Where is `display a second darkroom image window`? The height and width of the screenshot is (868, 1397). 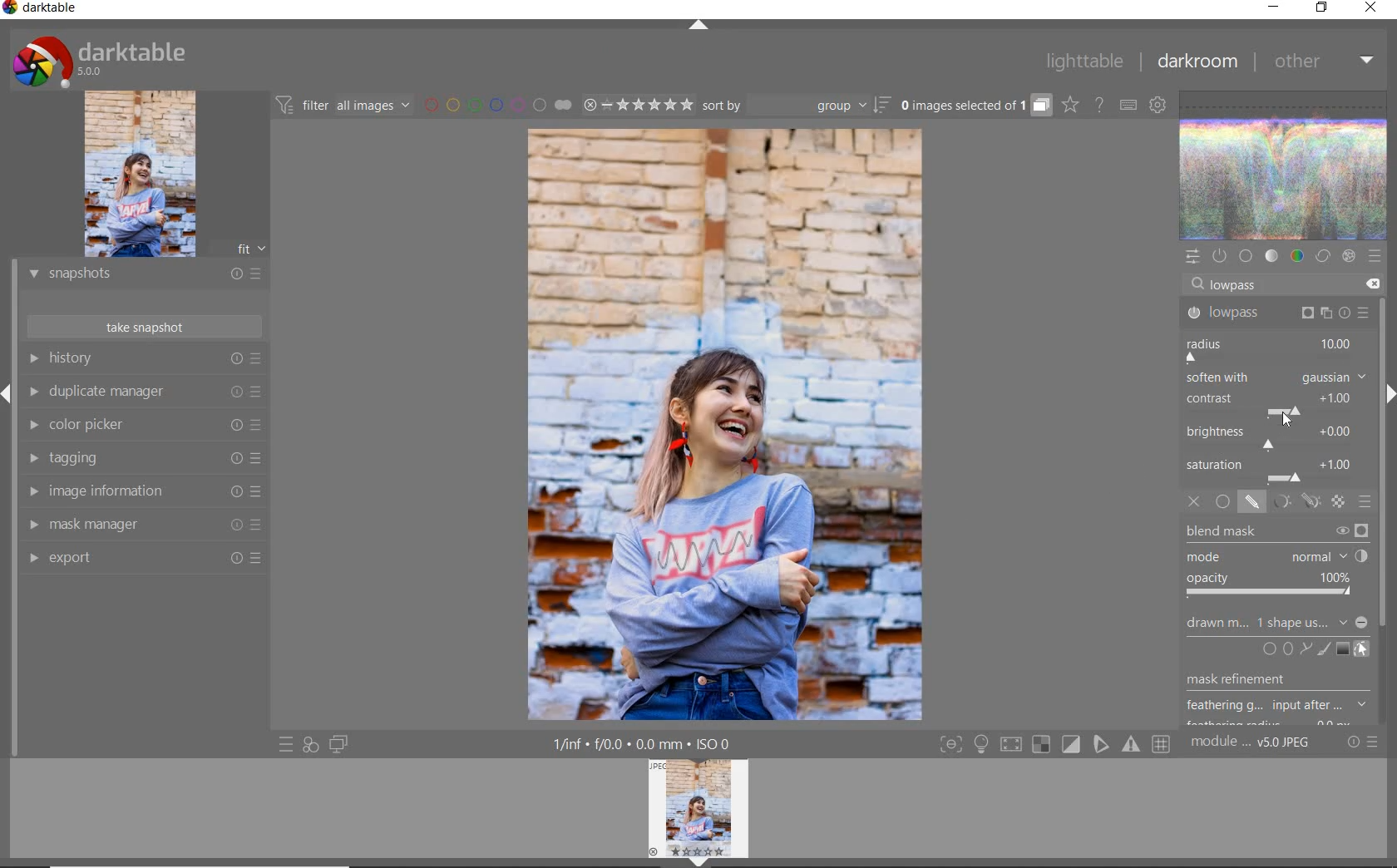 display a second darkroom image window is located at coordinates (339, 743).